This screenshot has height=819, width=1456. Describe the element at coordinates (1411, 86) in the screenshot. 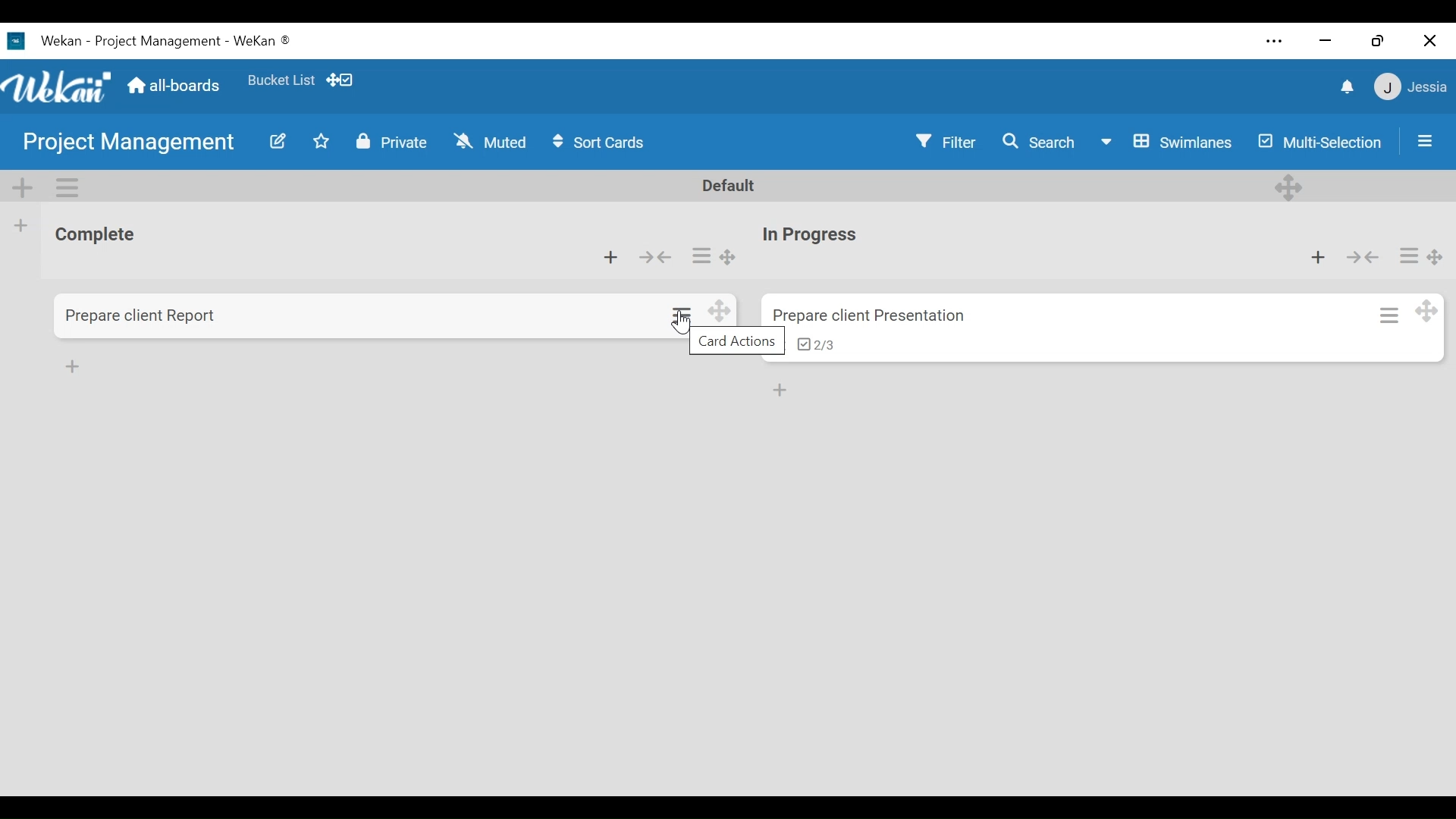

I see `Member` at that location.